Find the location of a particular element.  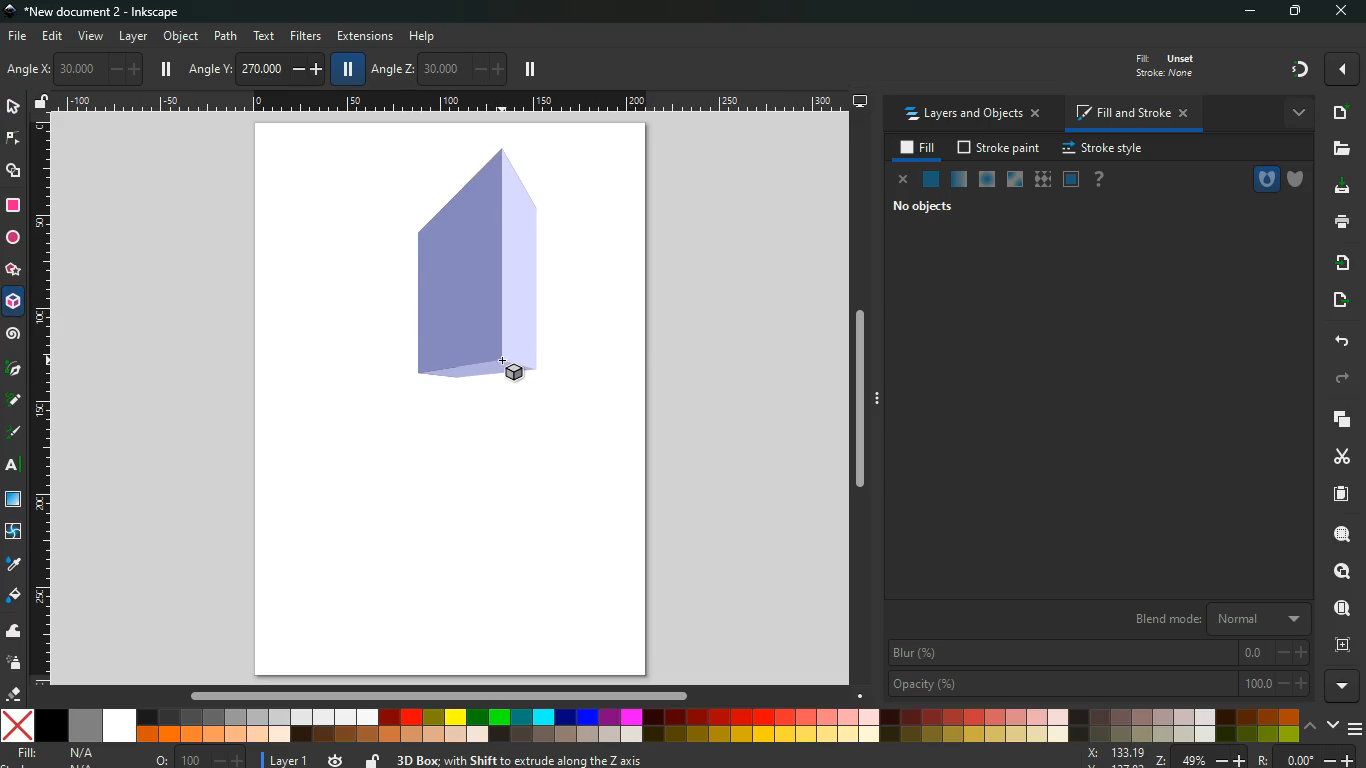

send is located at coordinates (1335, 301).